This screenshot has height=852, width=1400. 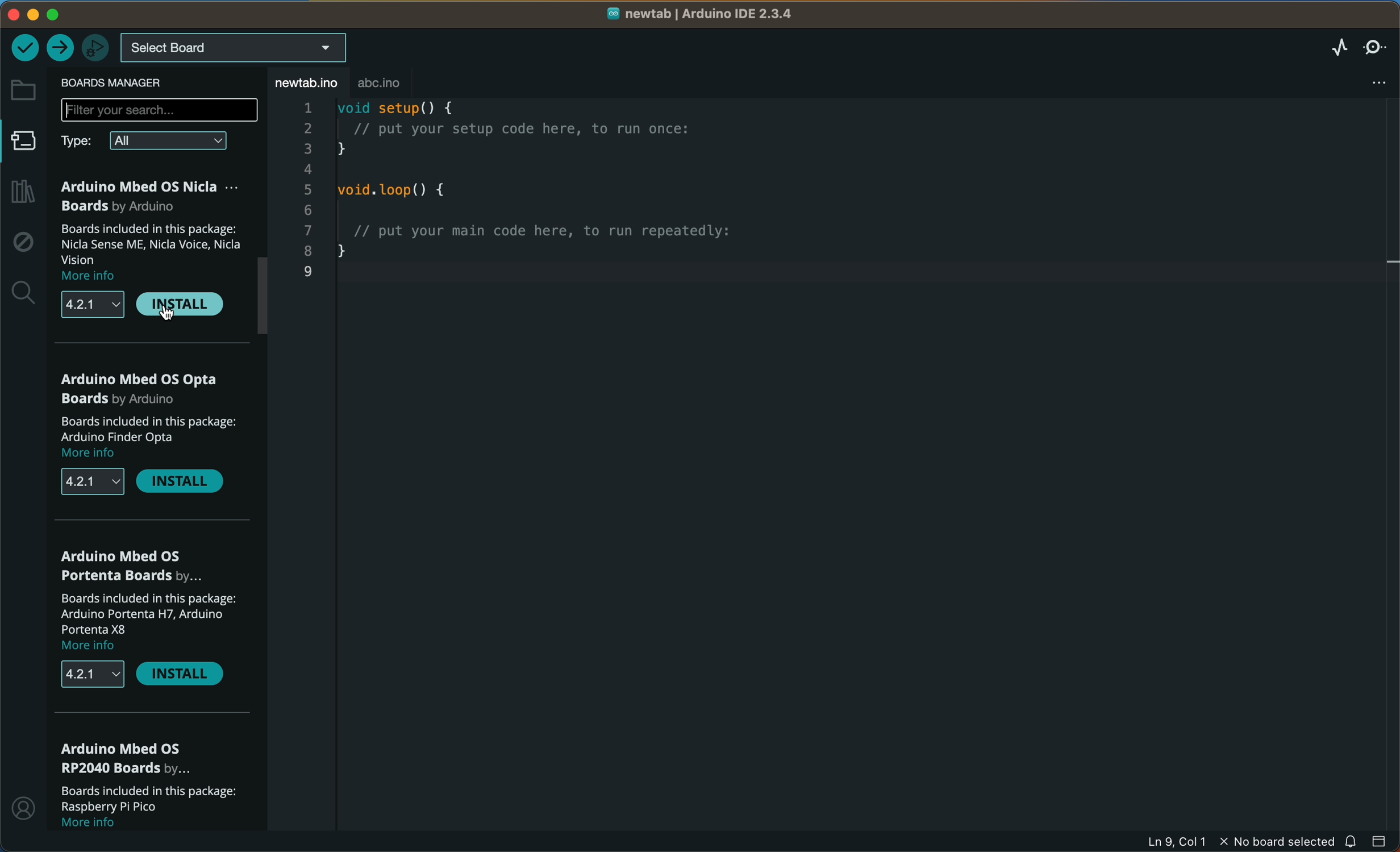 What do you see at coordinates (1207, 842) in the screenshot?
I see `file information` at bounding box center [1207, 842].